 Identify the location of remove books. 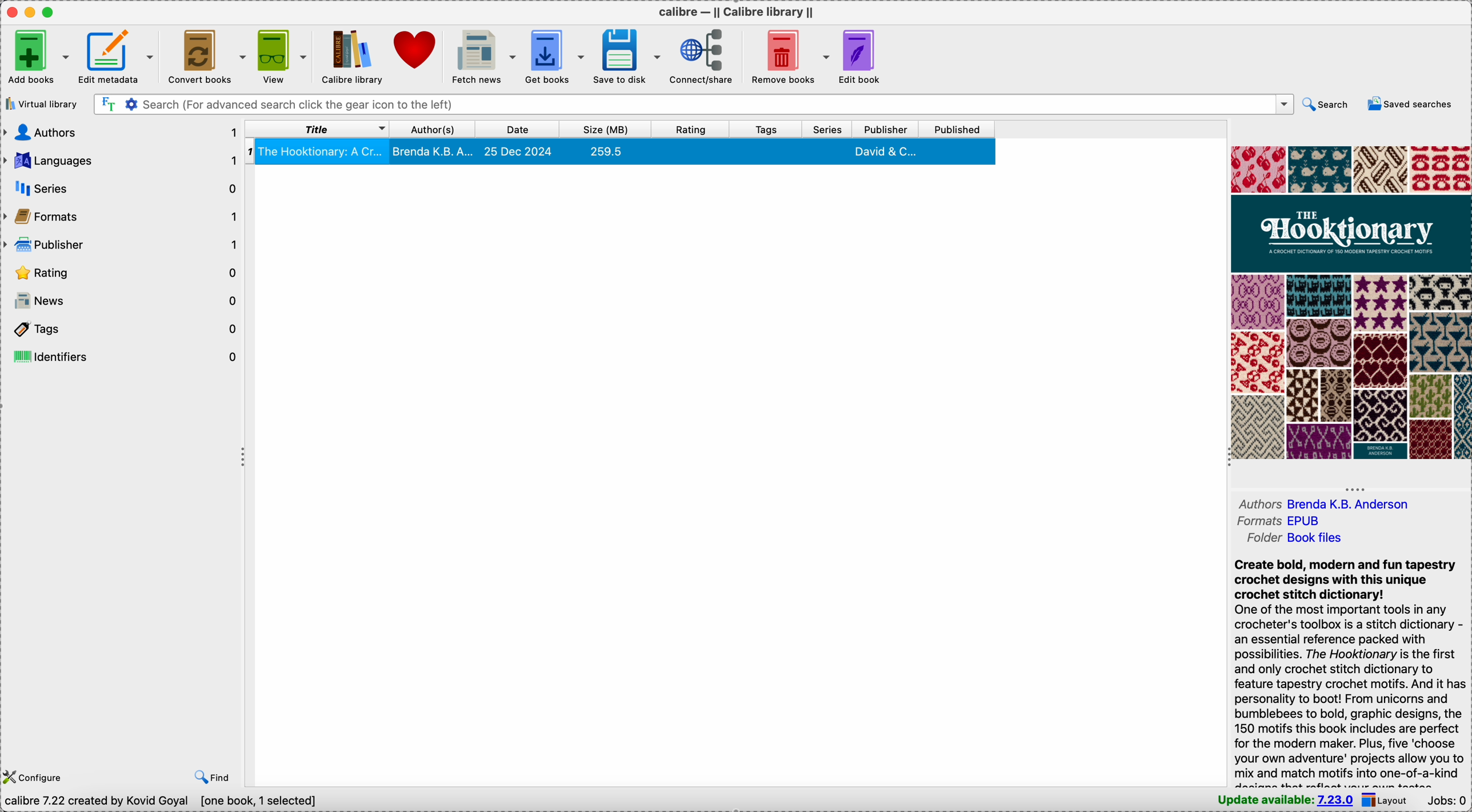
(791, 55).